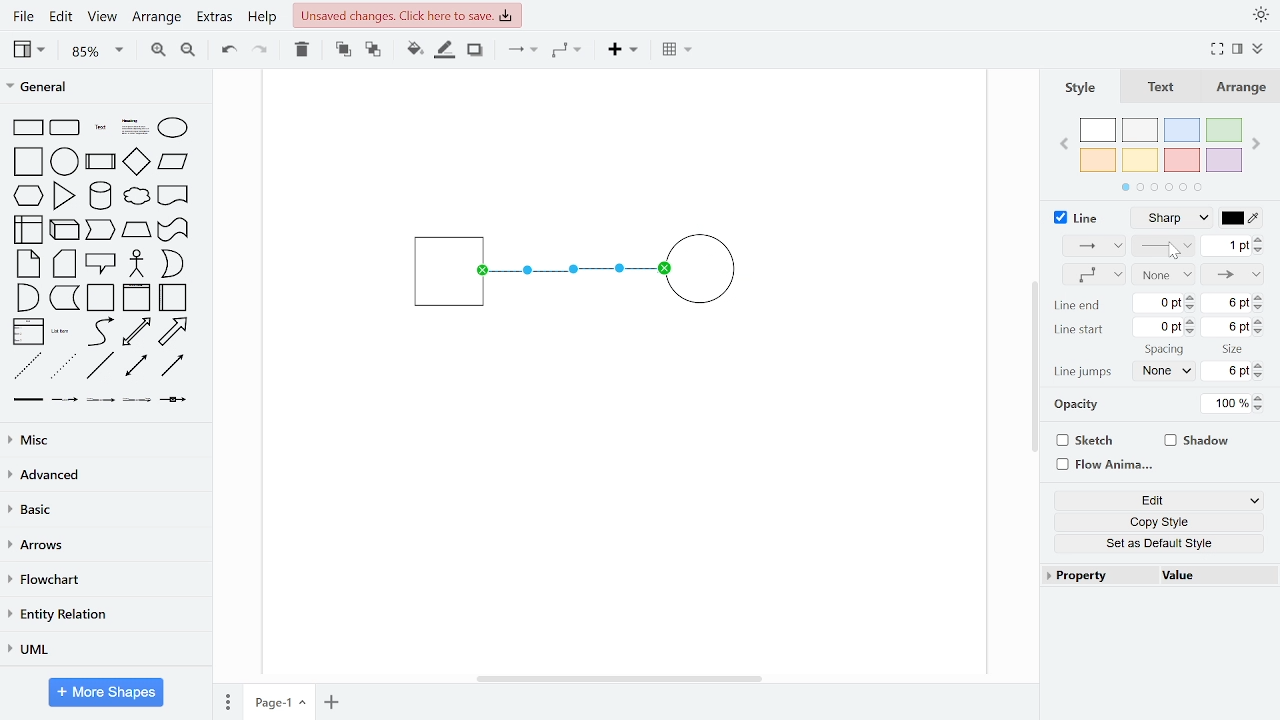  I want to click on tape, so click(171, 230).